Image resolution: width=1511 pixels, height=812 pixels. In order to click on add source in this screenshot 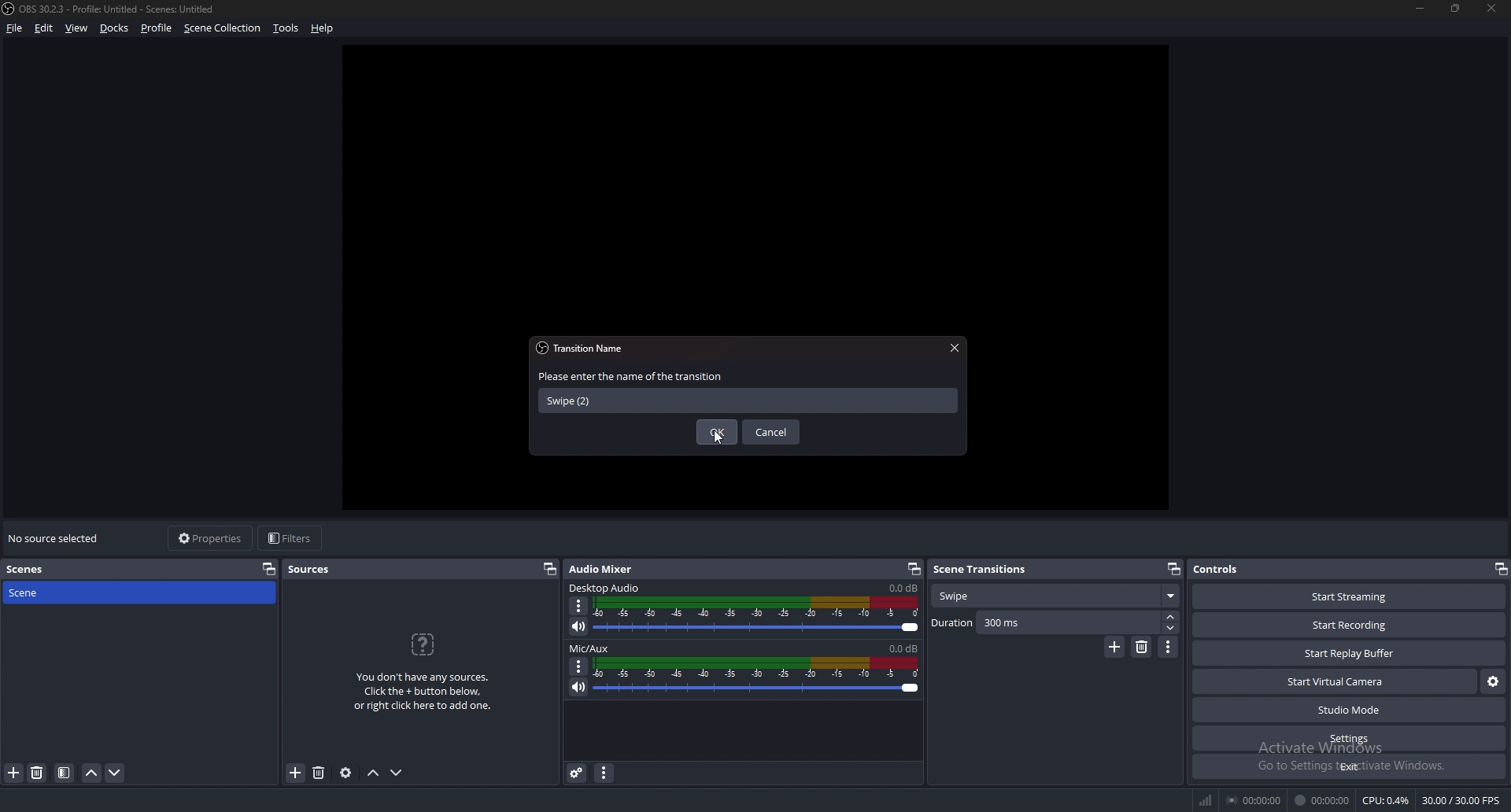, I will do `click(295, 775)`.